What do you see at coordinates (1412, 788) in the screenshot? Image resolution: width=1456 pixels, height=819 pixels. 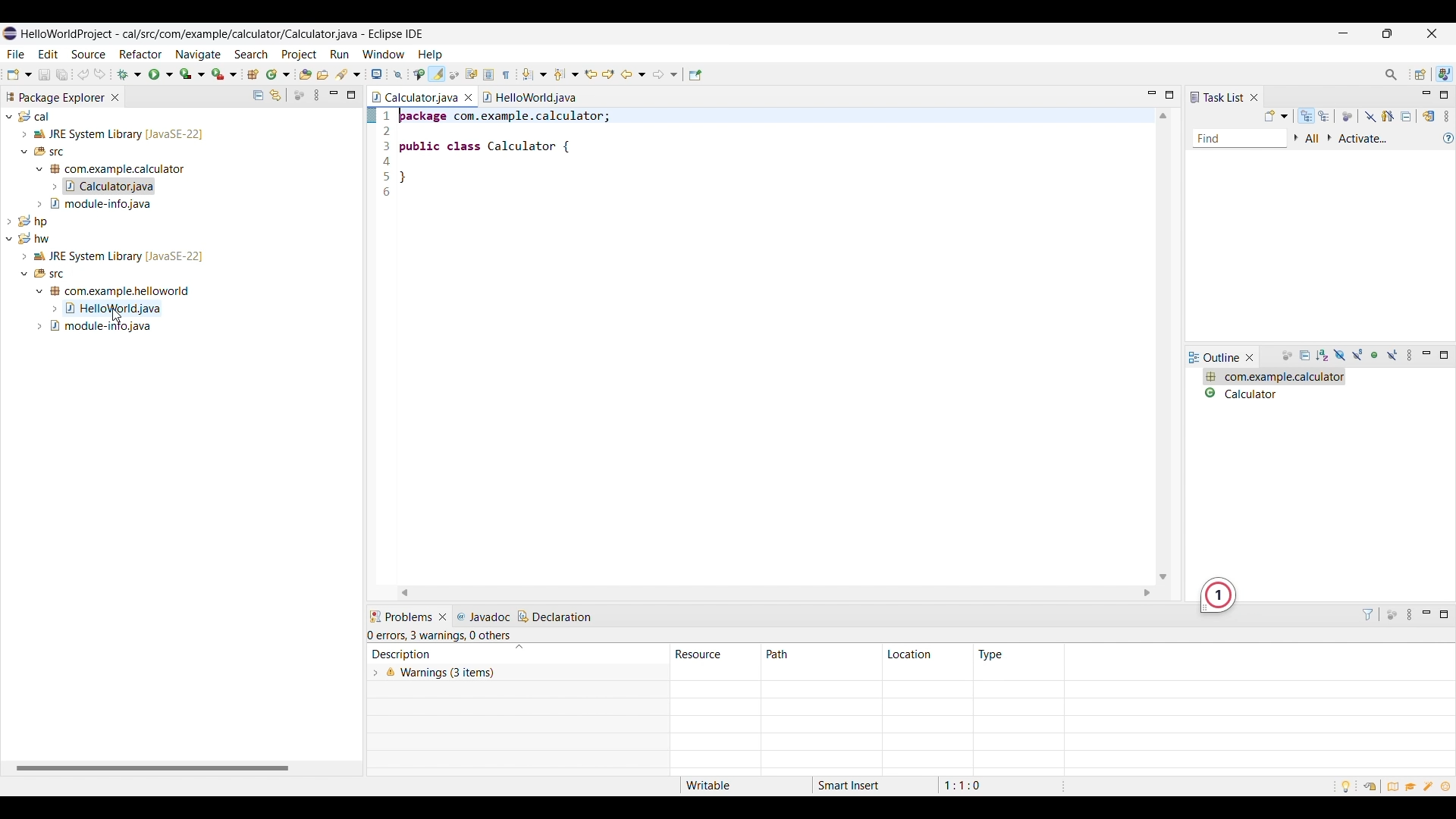 I see `Tutorials` at bounding box center [1412, 788].